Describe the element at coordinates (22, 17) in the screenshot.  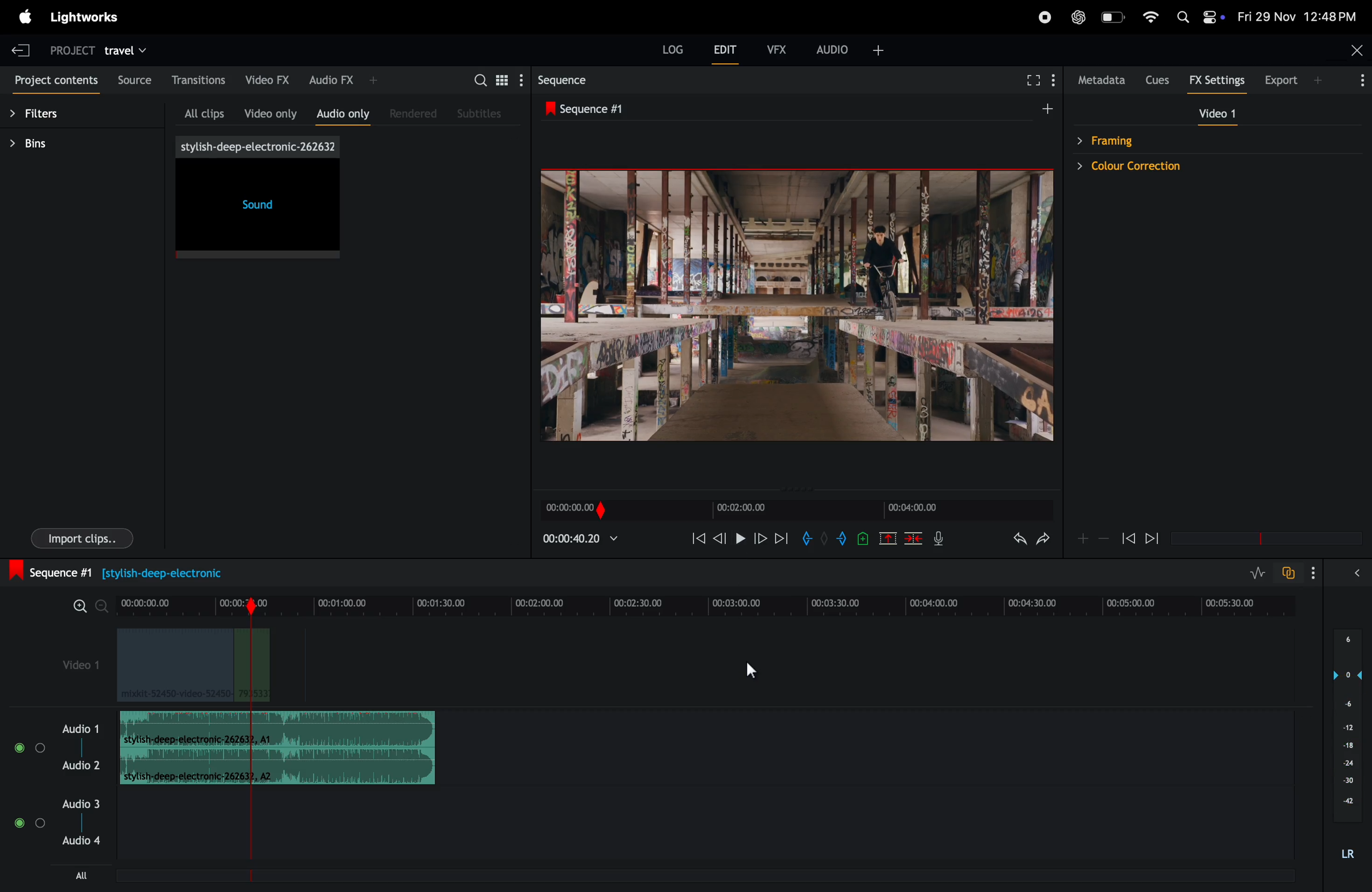
I see `apple menu` at that location.